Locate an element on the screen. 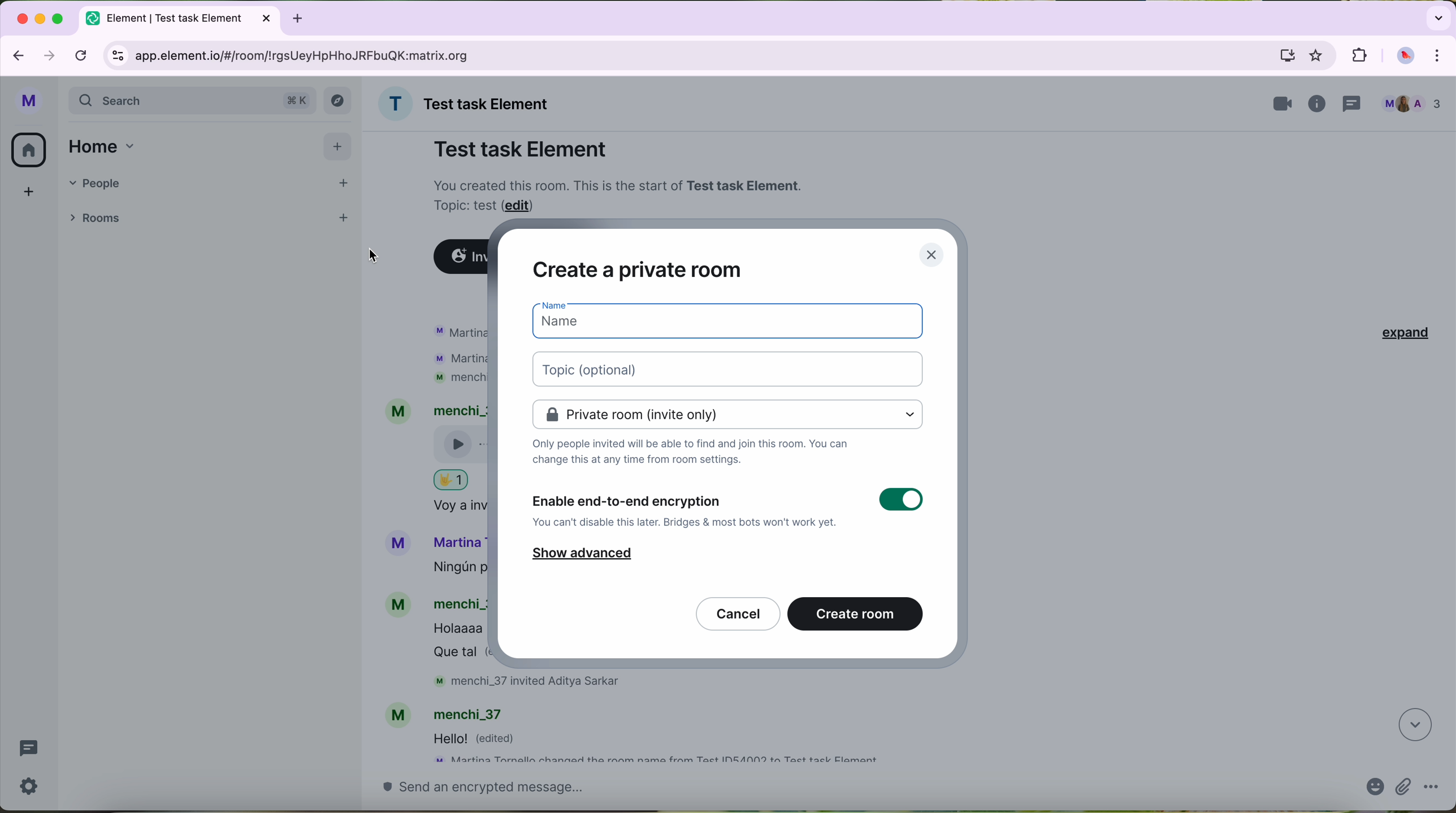 This screenshot has height=813, width=1456. threads is located at coordinates (1355, 102).